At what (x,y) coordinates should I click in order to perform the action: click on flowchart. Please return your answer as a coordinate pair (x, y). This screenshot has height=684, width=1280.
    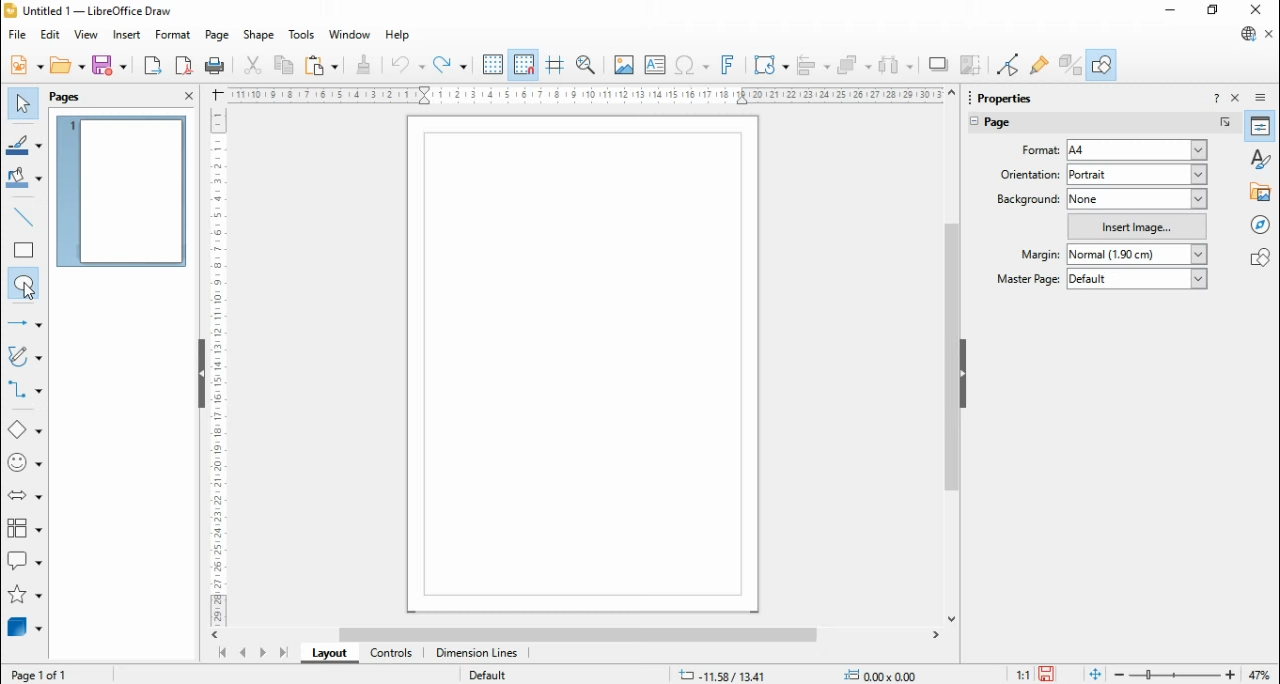
    Looking at the image, I should click on (25, 532).